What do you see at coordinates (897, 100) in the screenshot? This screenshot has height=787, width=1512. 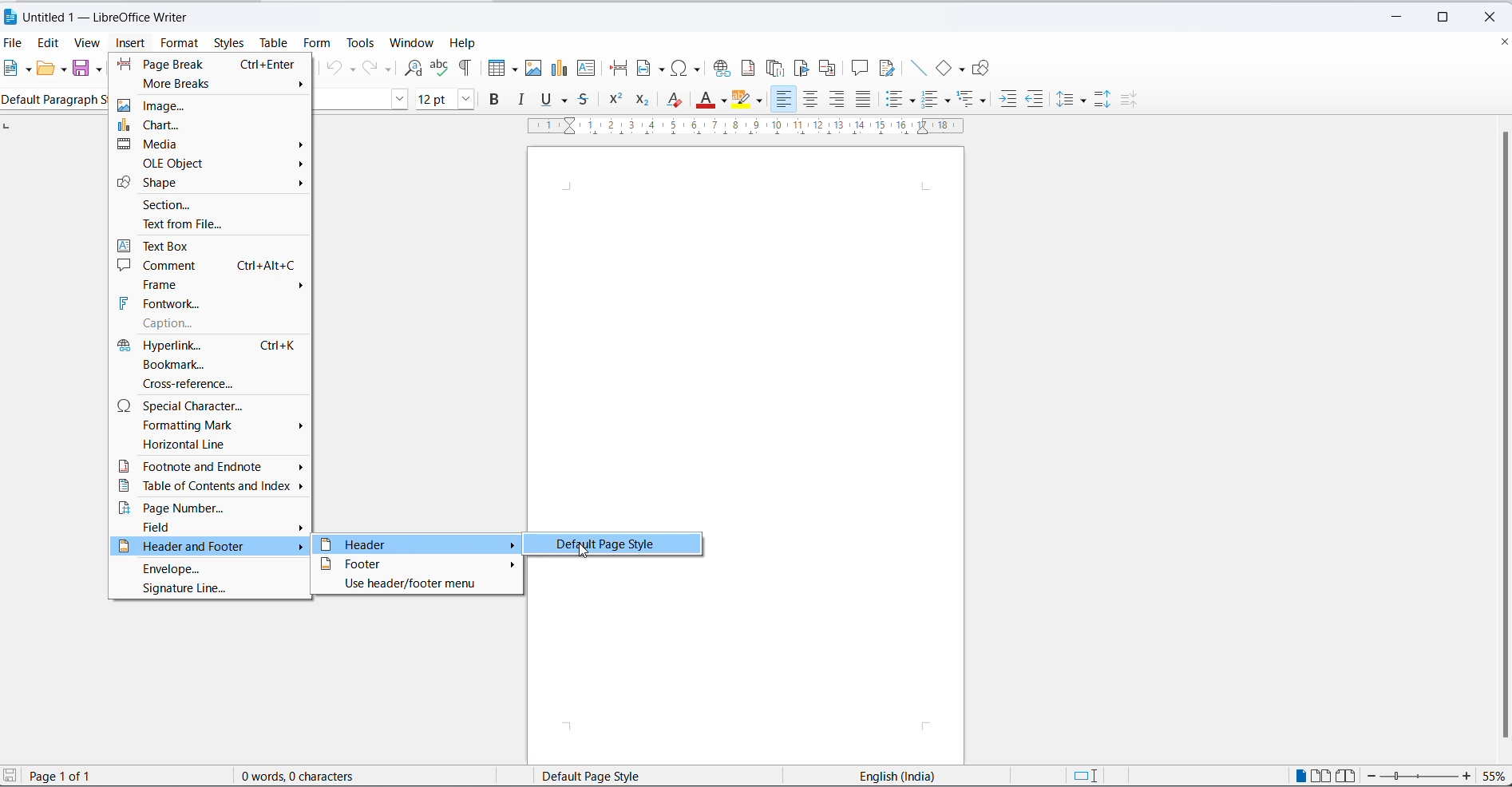 I see `toggle unordered list` at bounding box center [897, 100].